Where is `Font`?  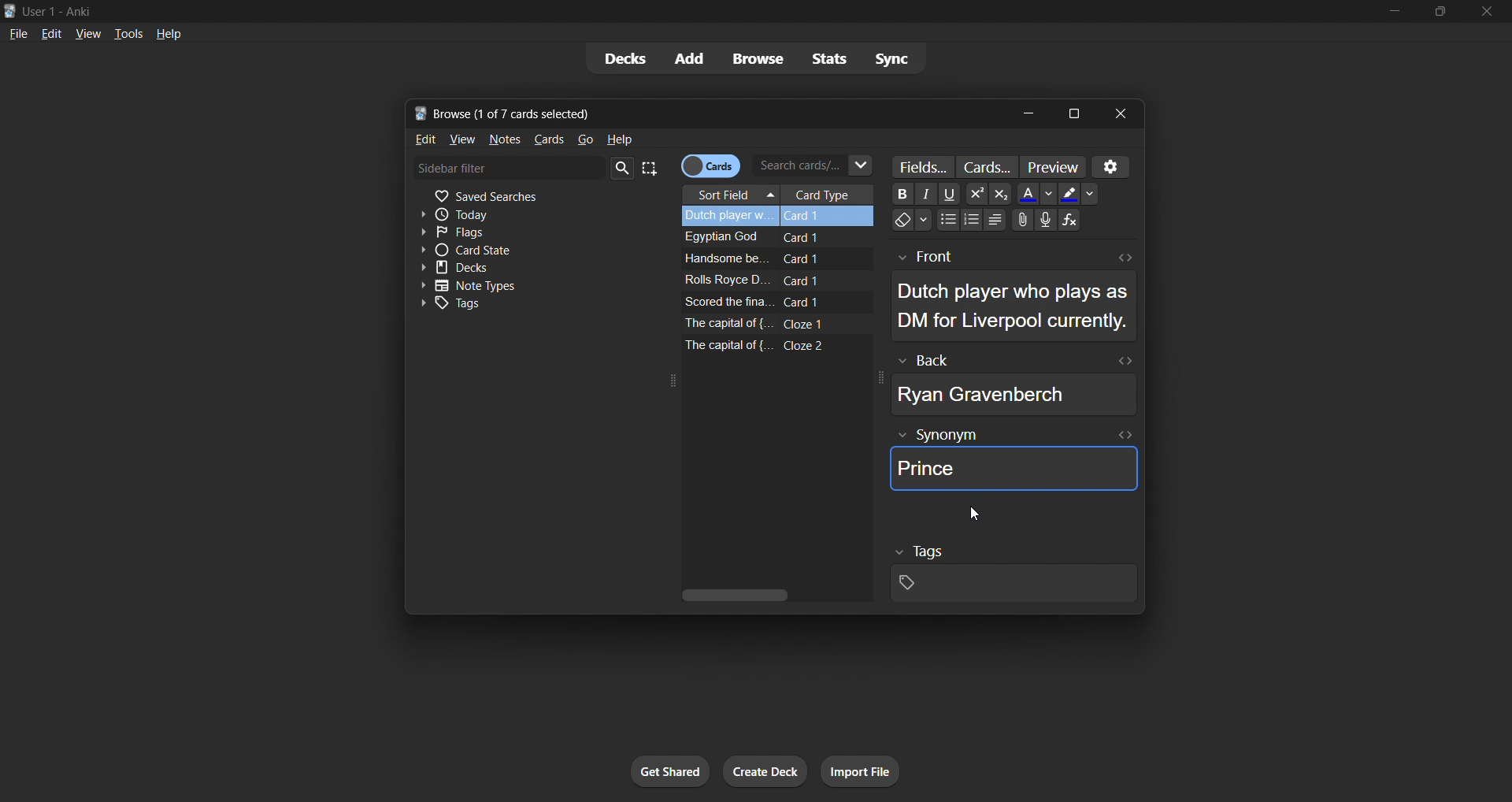
Font is located at coordinates (928, 193).